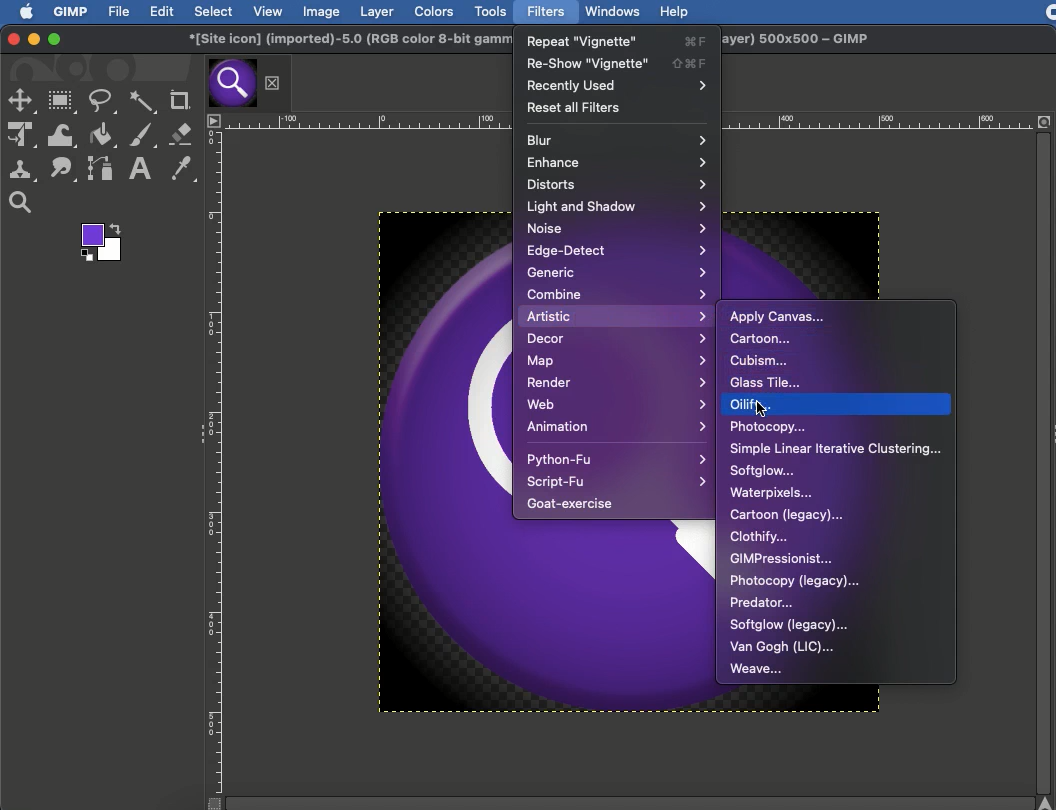  Describe the element at coordinates (369, 122) in the screenshot. I see `Scale` at that location.